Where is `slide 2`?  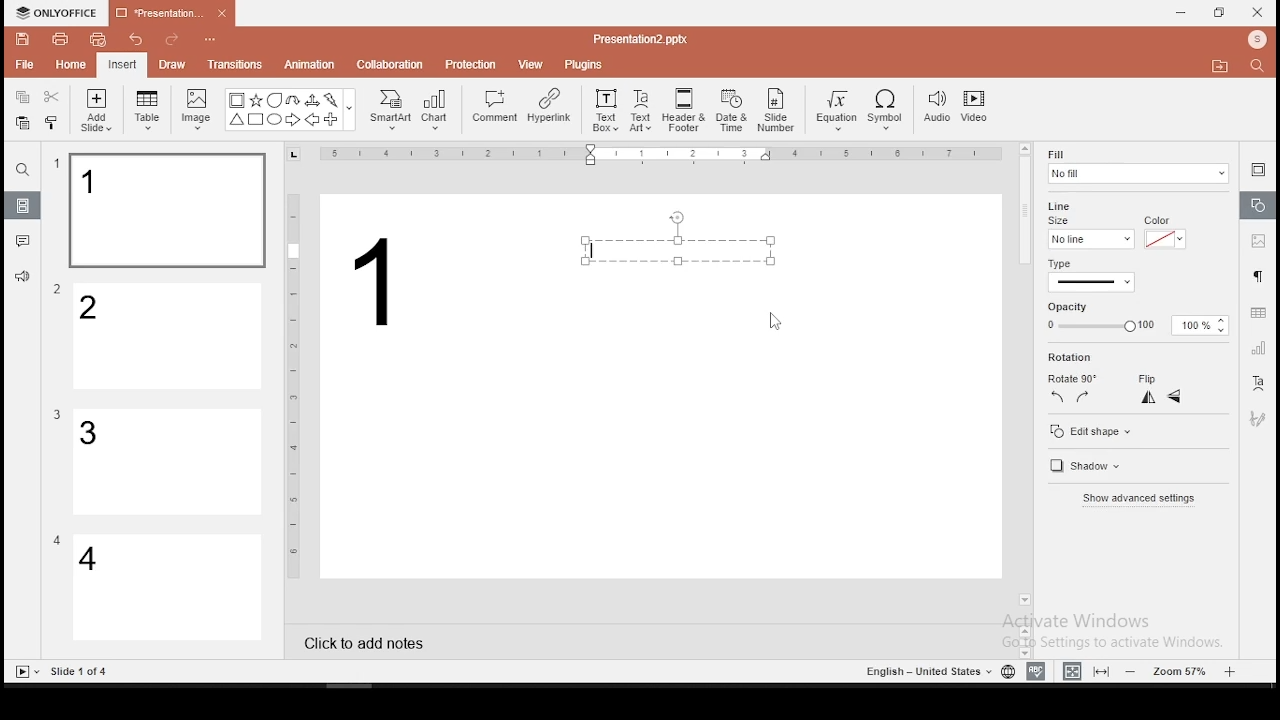
slide 2 is located at coordinates (169, 337).